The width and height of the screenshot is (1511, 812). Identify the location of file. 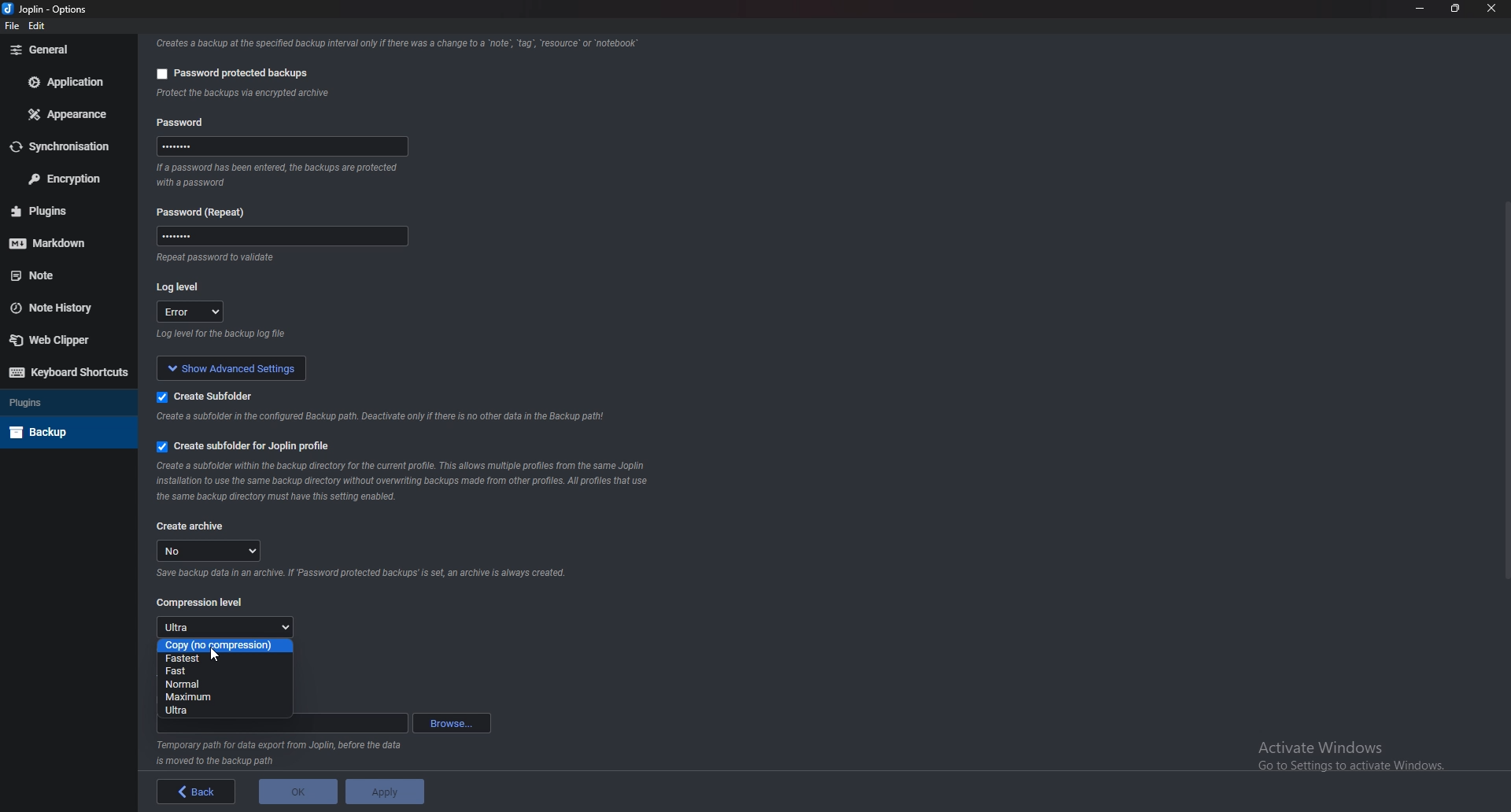
(12, 26).